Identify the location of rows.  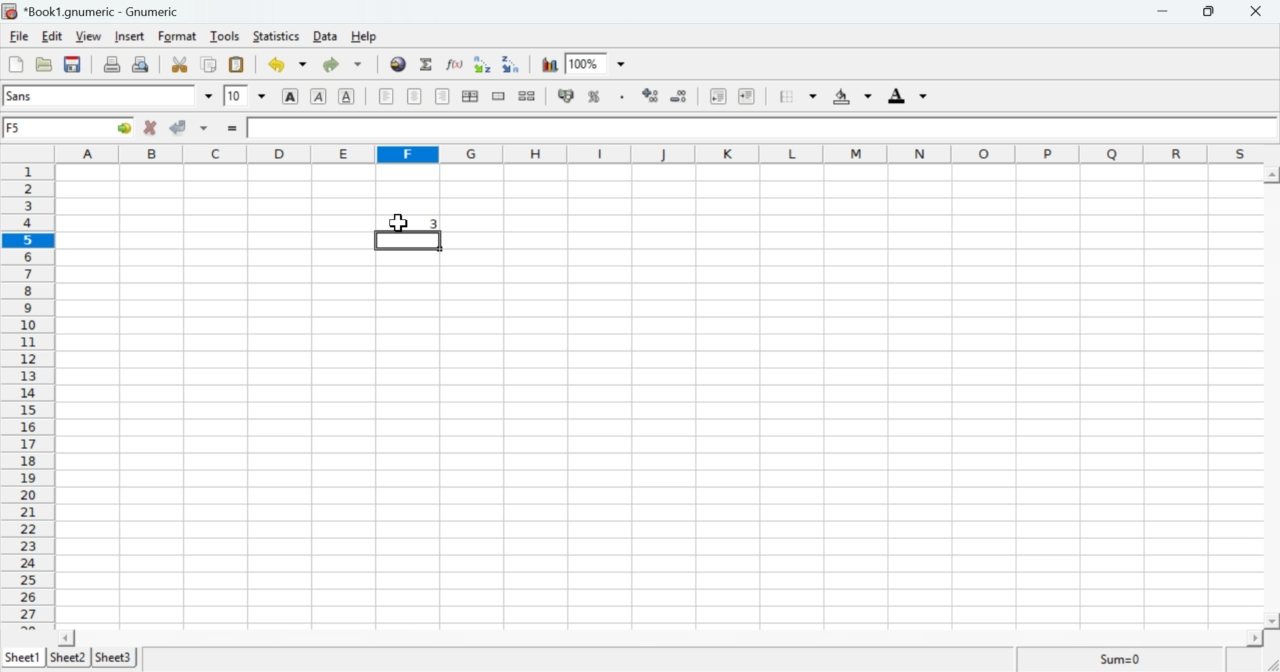
(26, 392).